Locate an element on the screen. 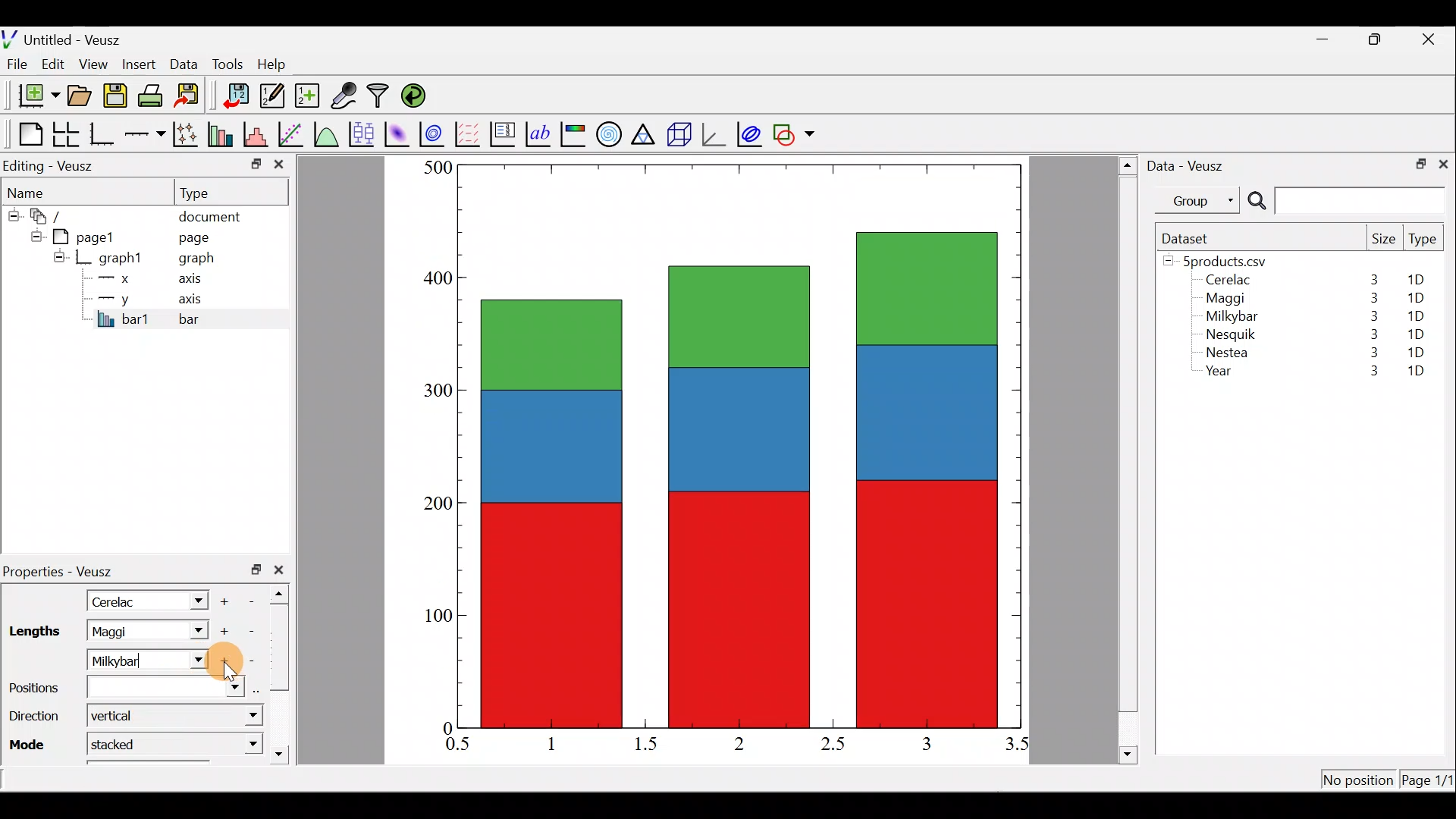 This screenshot has height=819, width=1456. close is located at coordinates (1443, 163).